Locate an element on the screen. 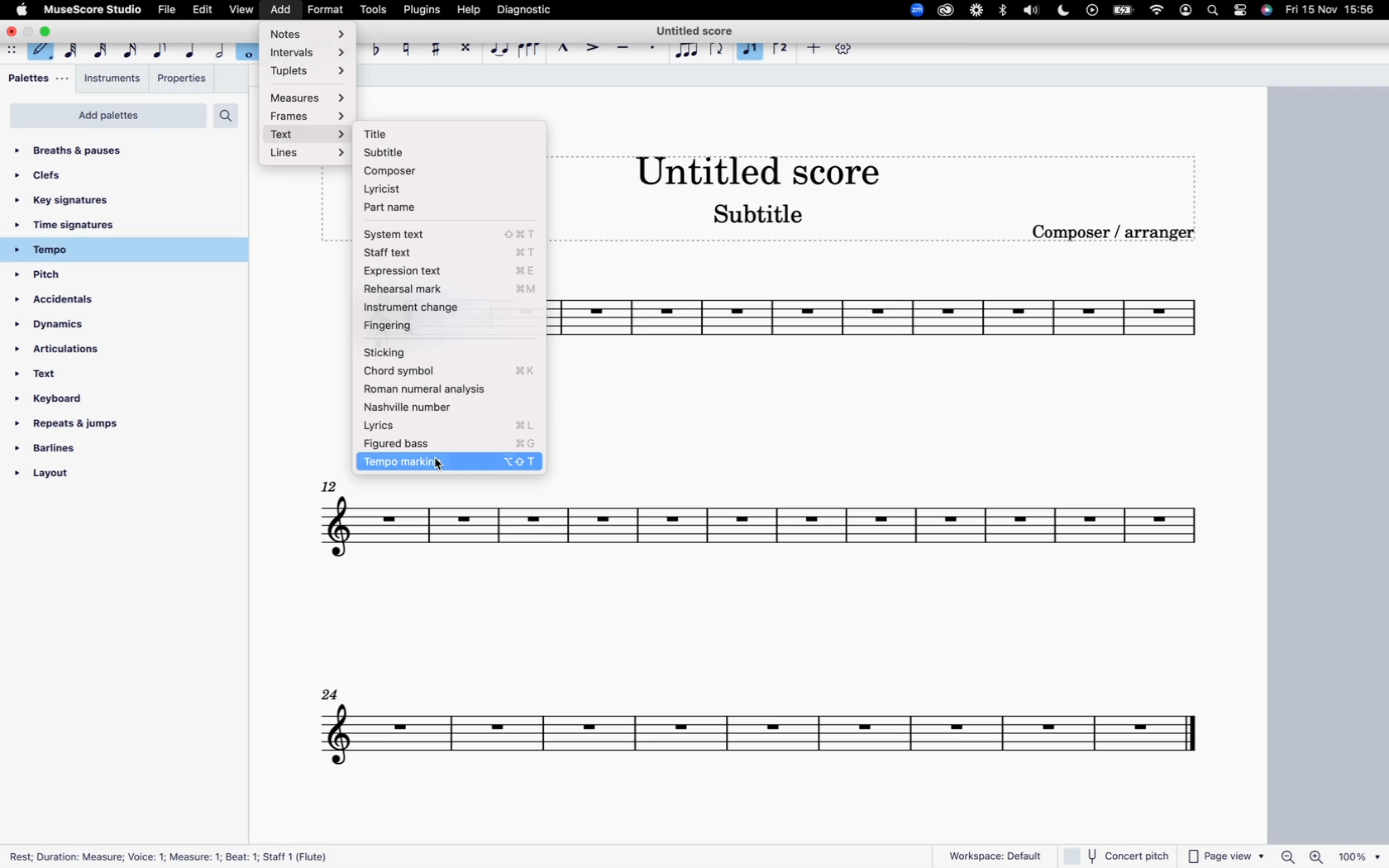  toggle flat is located at coordinates (376, 47).